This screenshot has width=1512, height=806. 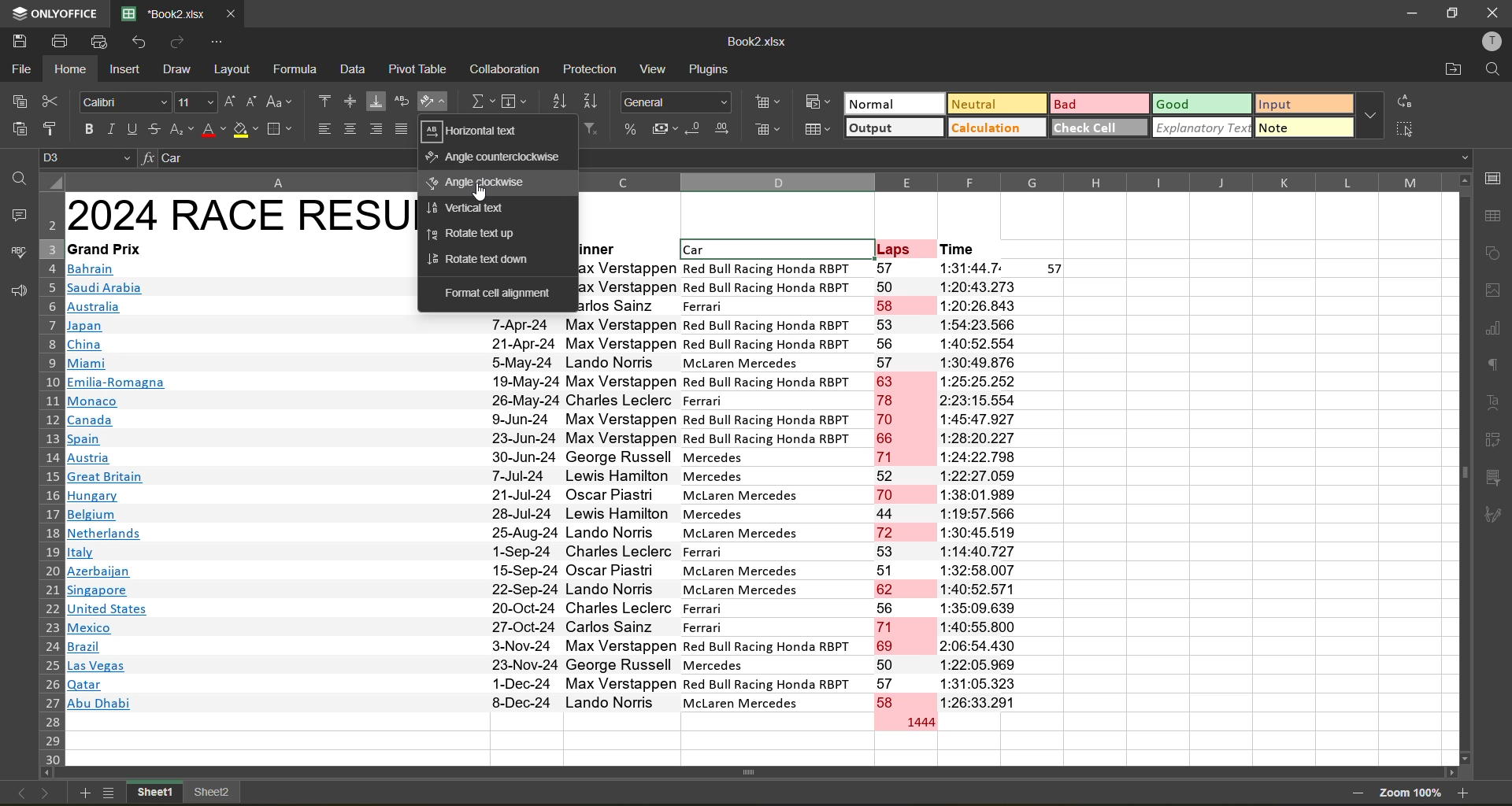 I want to click on strikethrough, so click(x=152, y=128).